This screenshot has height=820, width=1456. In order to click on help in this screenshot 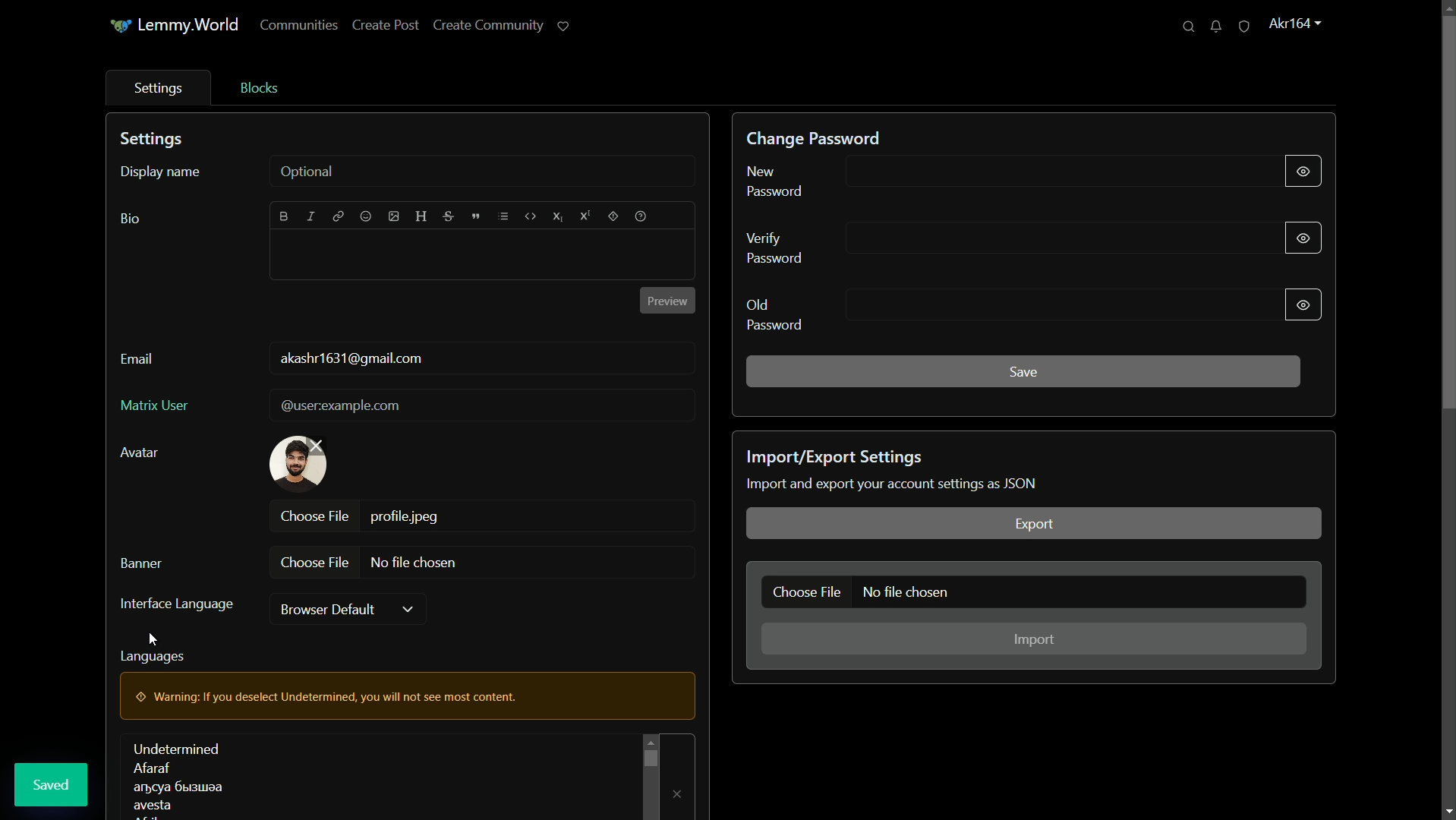, I will do `click(642, 216)`.